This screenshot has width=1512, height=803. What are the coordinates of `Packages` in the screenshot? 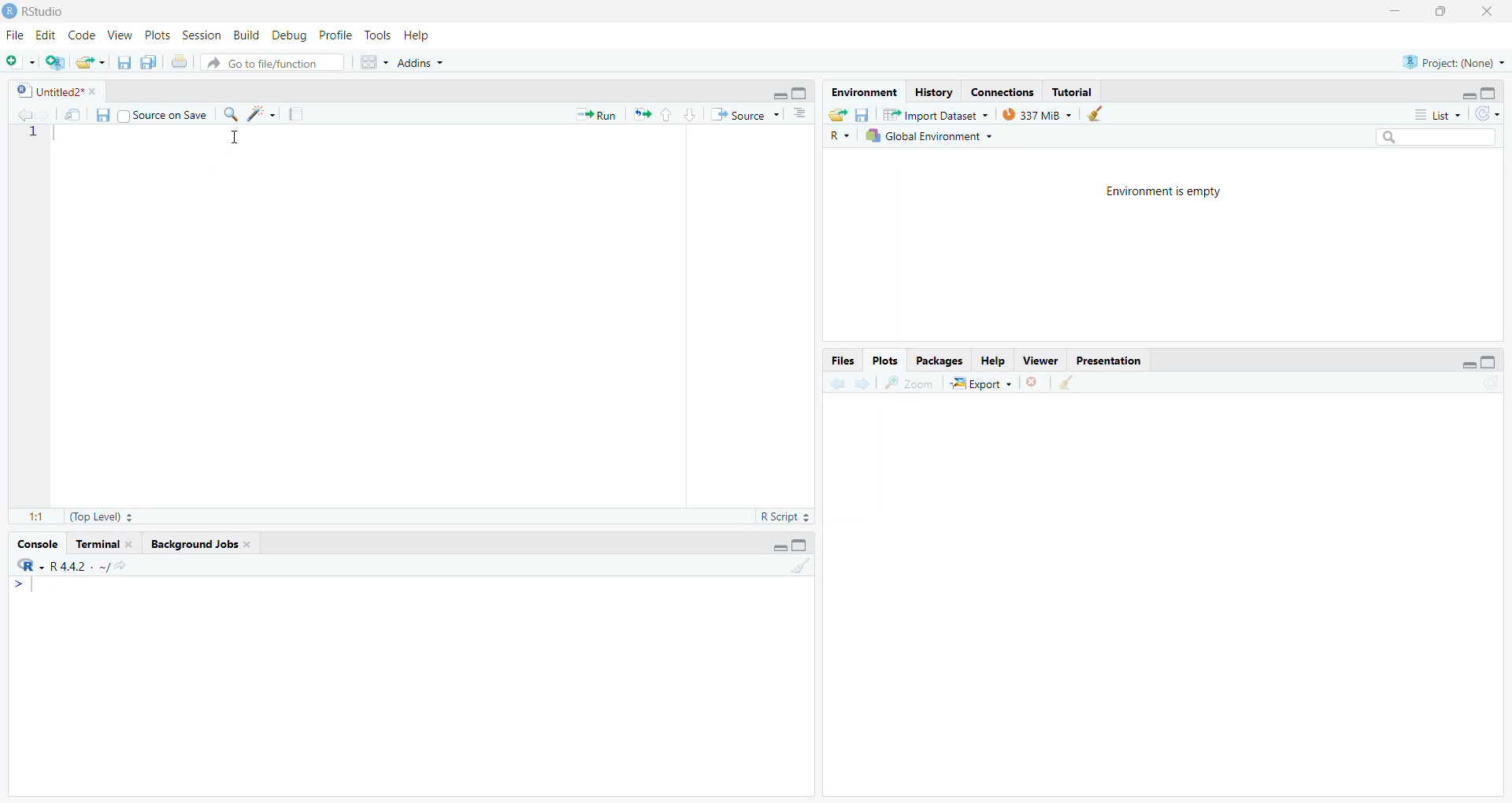 It's located at (943, 361).